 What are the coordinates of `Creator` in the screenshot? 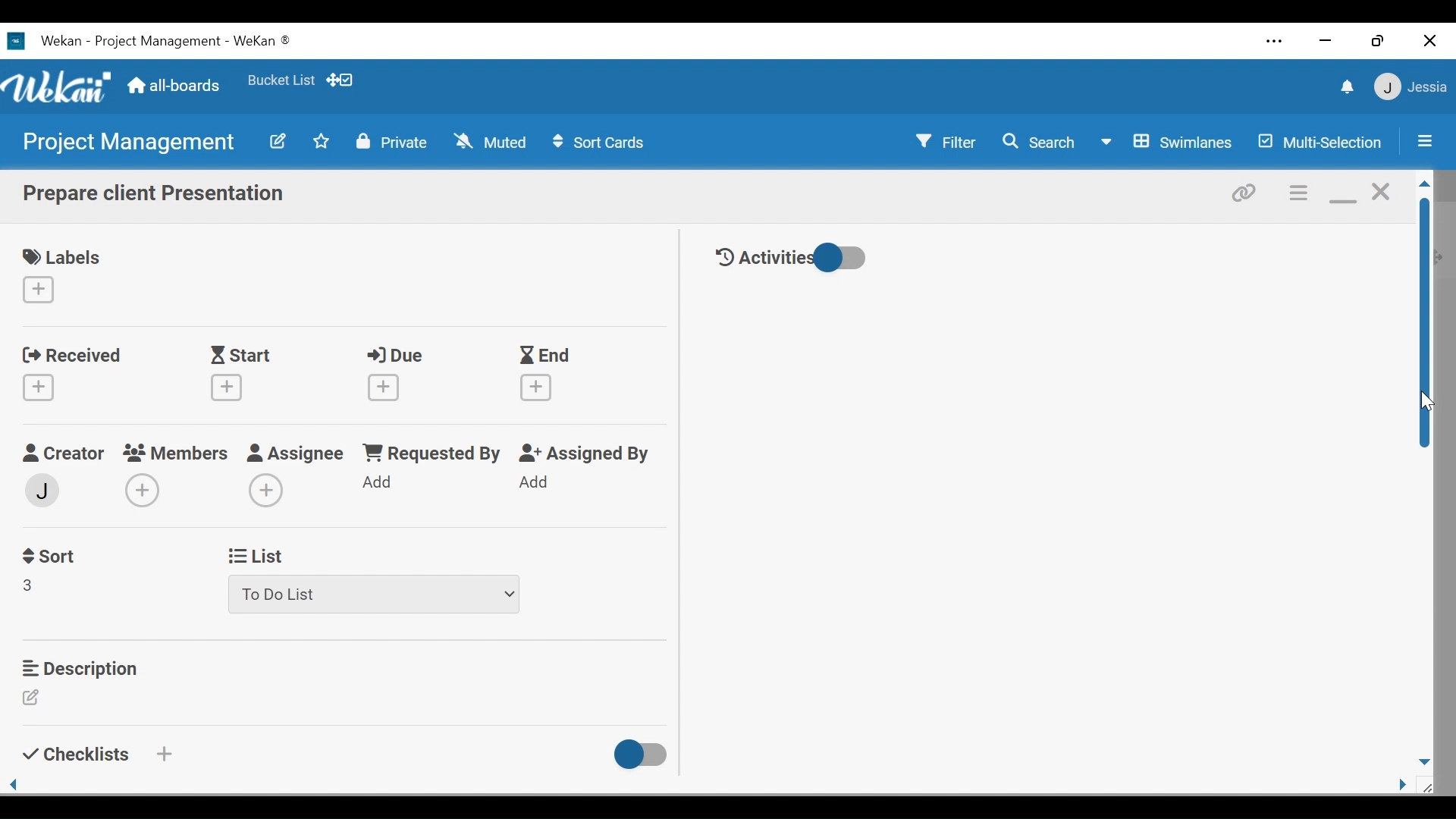 It's located at (61, 453).